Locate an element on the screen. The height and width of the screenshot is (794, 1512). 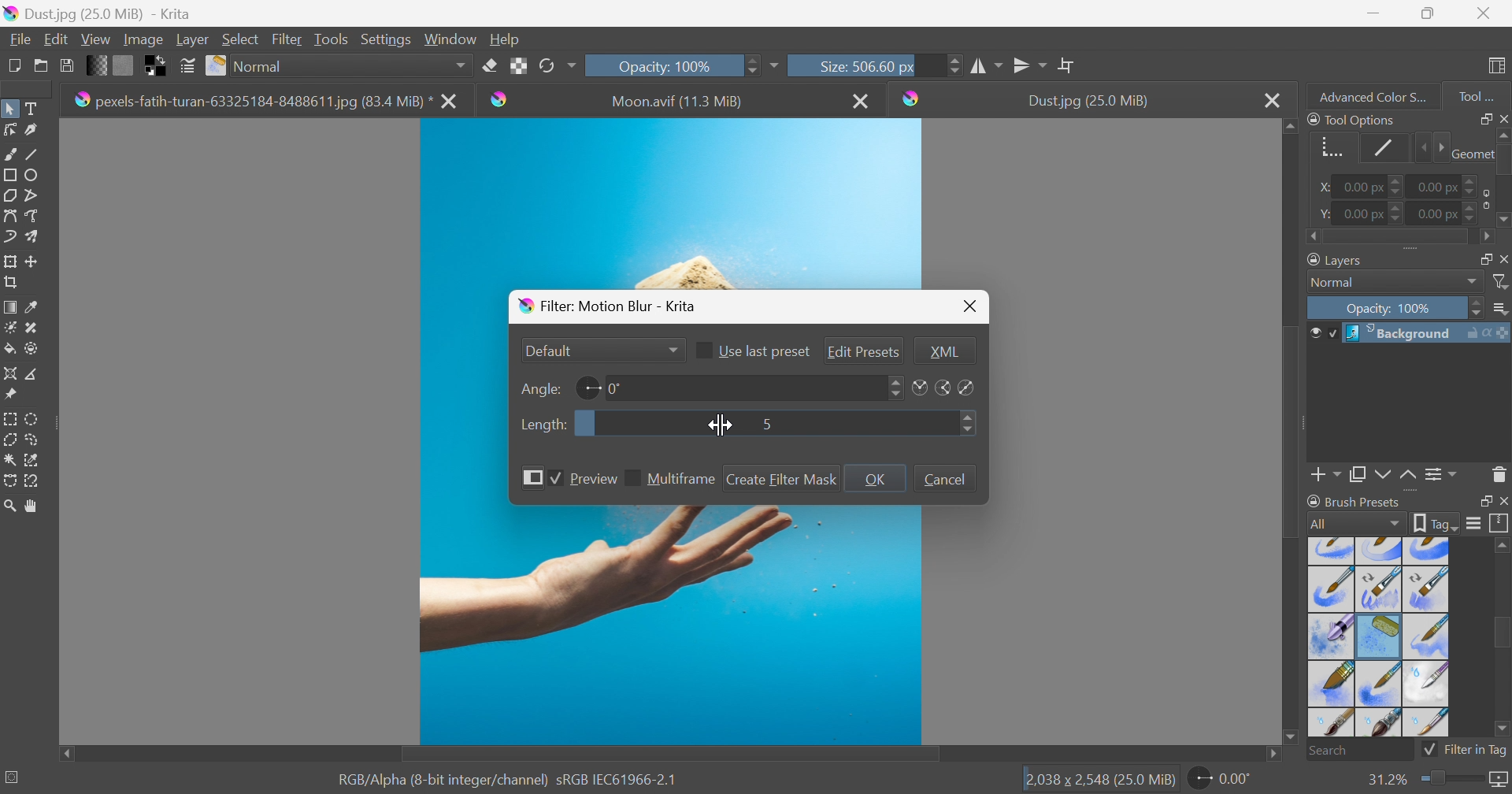
Close is located at coordinates (1484, 13).